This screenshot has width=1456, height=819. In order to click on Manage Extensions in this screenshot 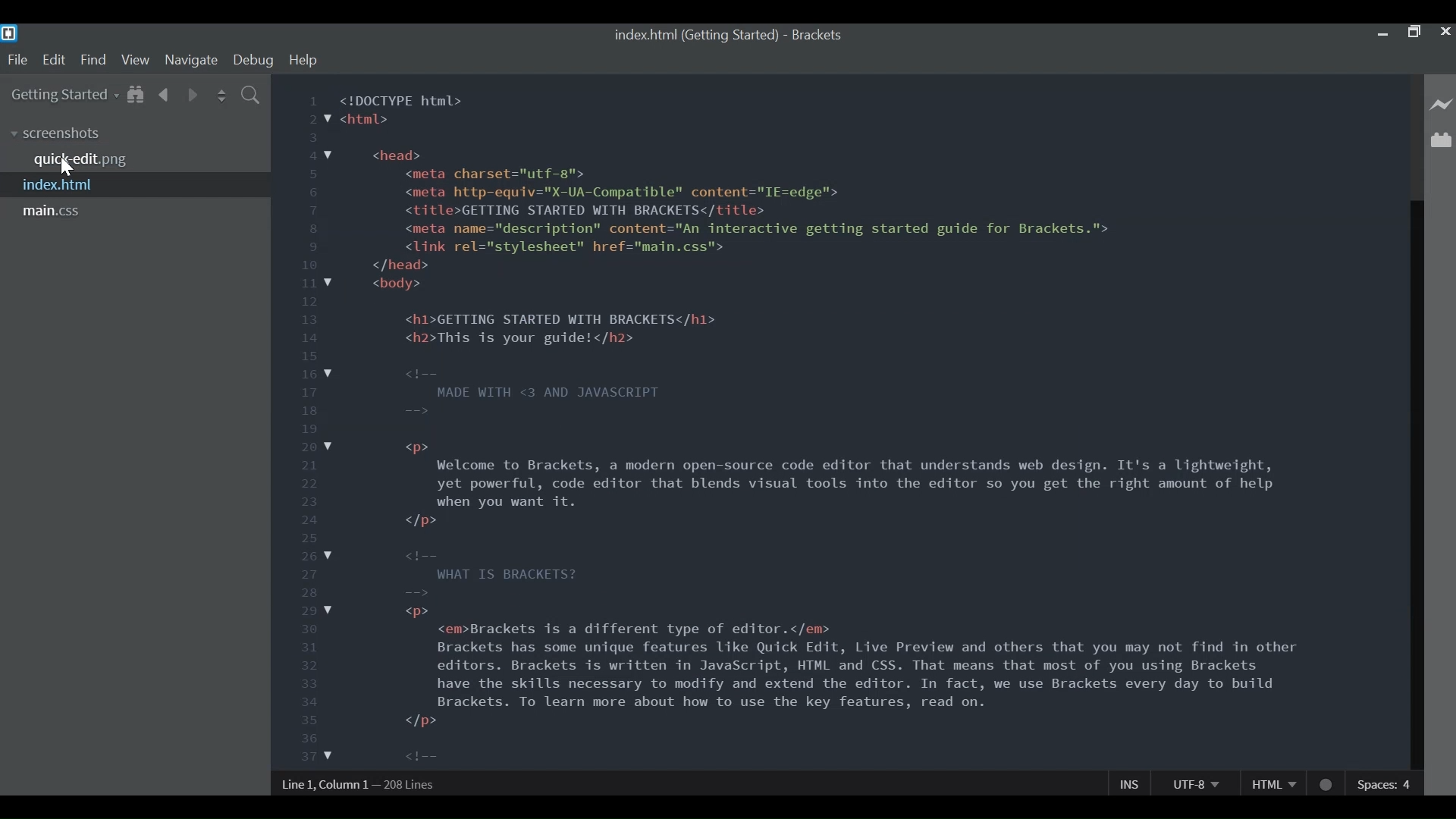, I will do `click(1441, 140)`.